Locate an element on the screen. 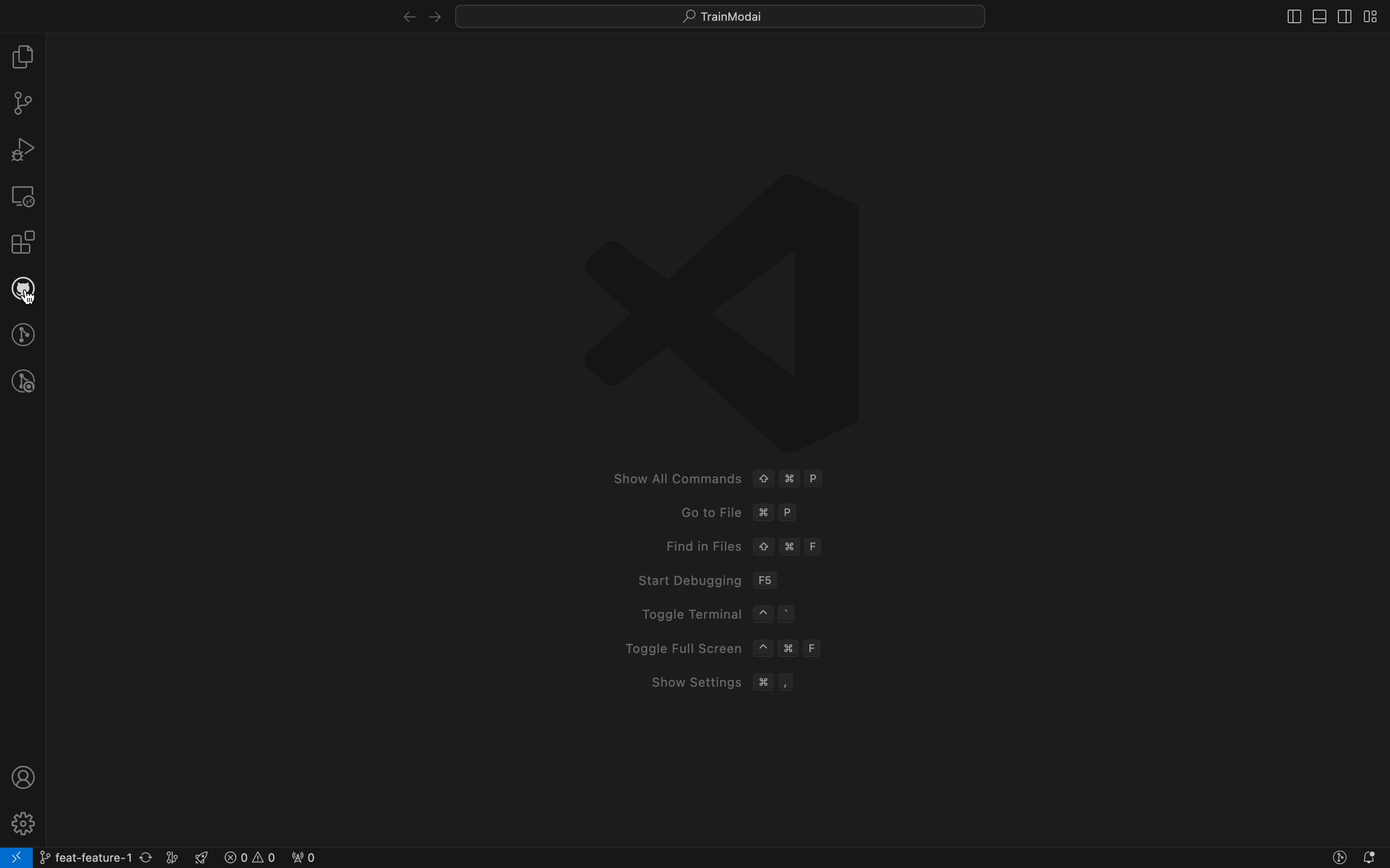 The image size is (1390, 868). profile is located at coordinates (20, 777).